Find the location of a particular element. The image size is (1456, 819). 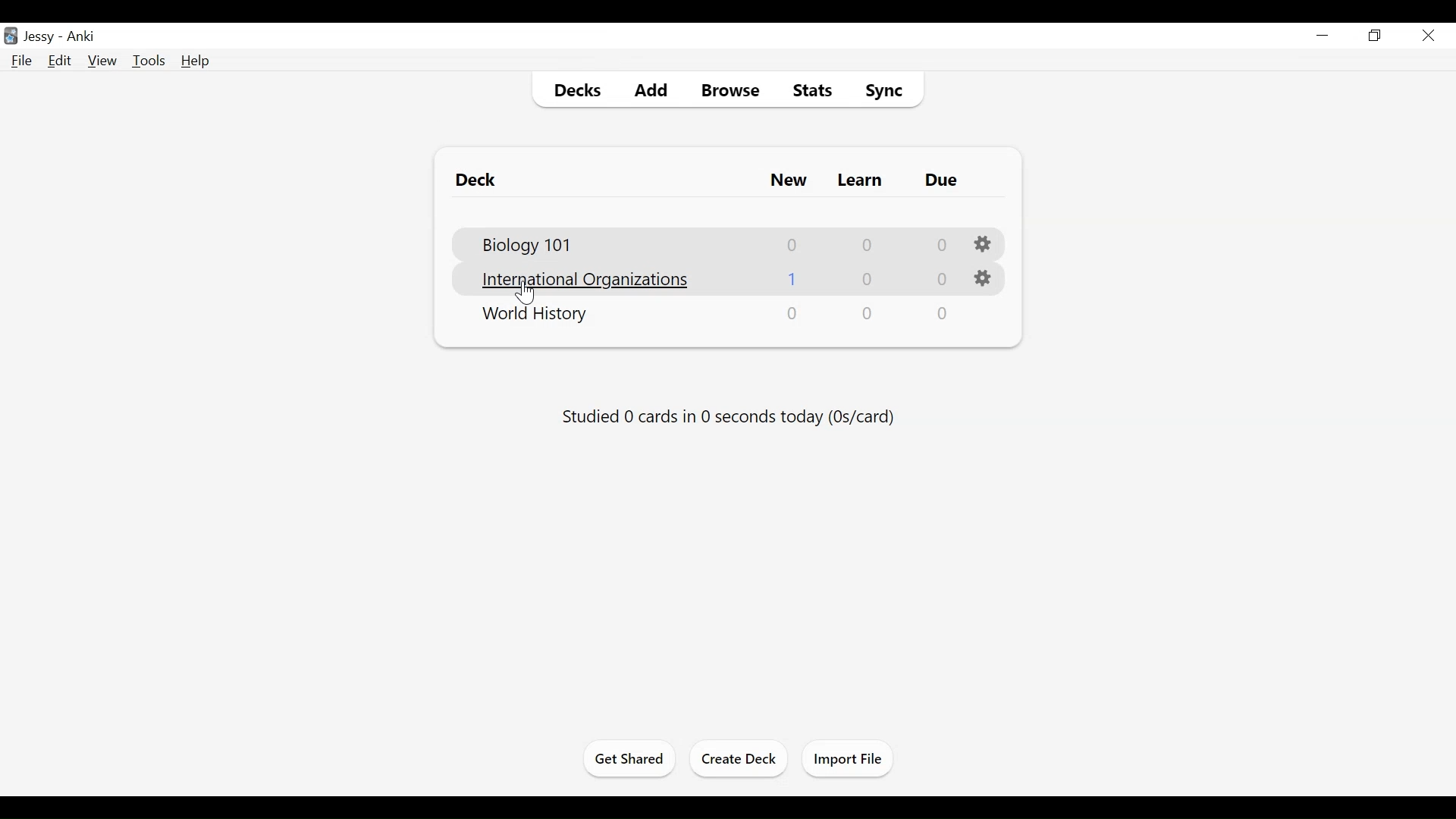

Stats is located at coordinates (814, 91).